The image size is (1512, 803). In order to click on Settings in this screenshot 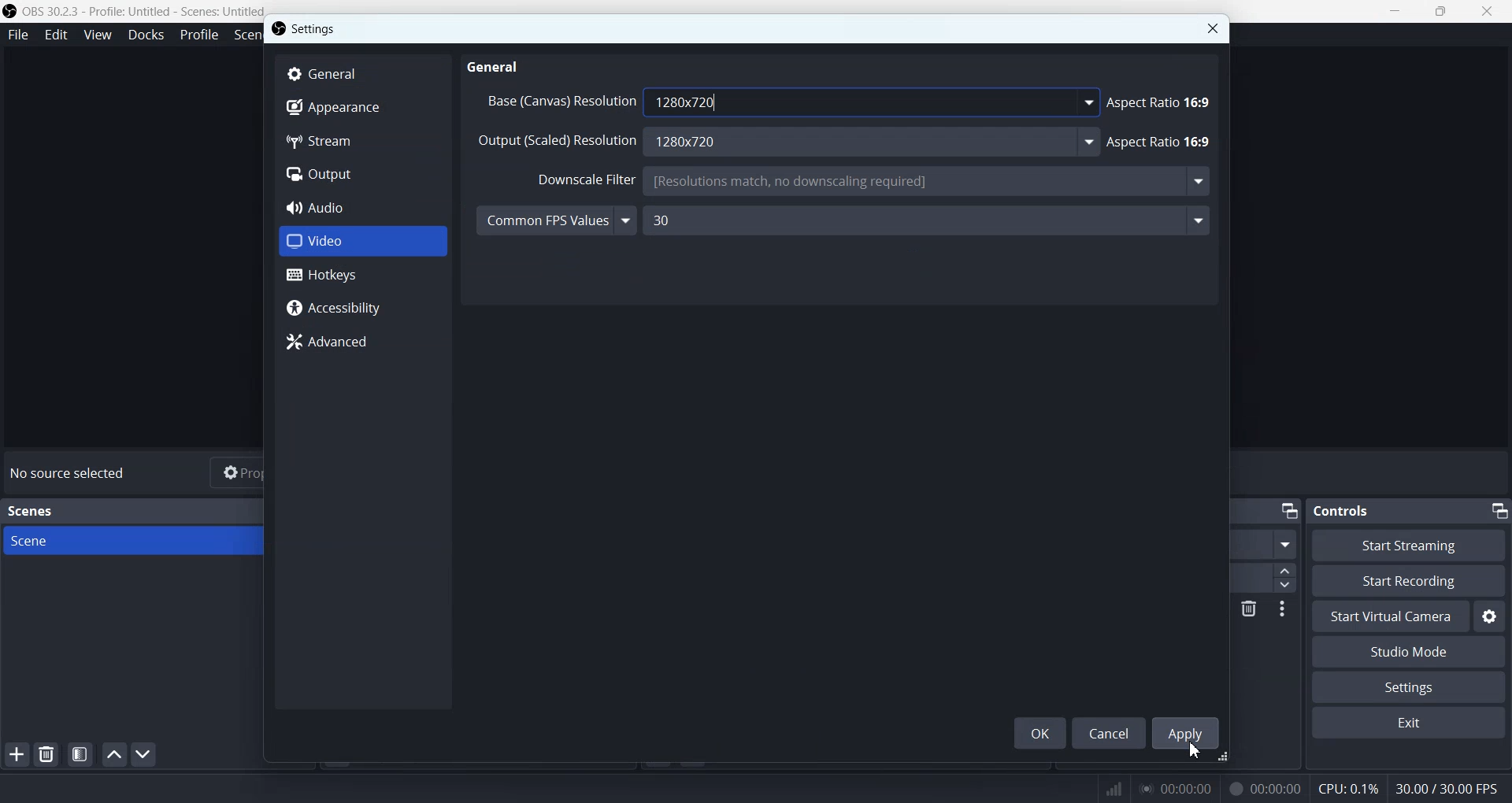, I will do `click(306, 28)`.